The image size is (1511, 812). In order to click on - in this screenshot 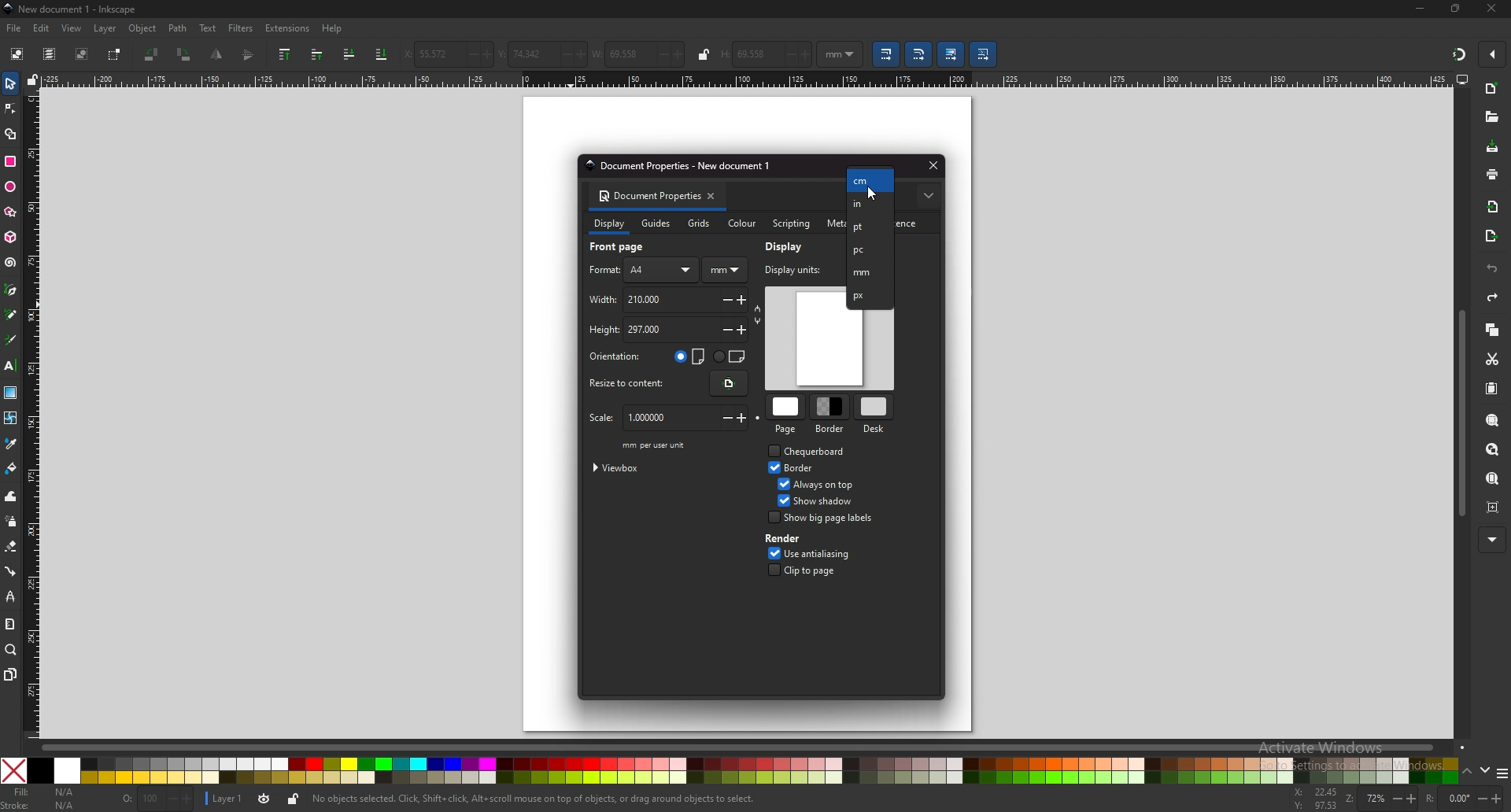, I will do `click(557, 54)`.